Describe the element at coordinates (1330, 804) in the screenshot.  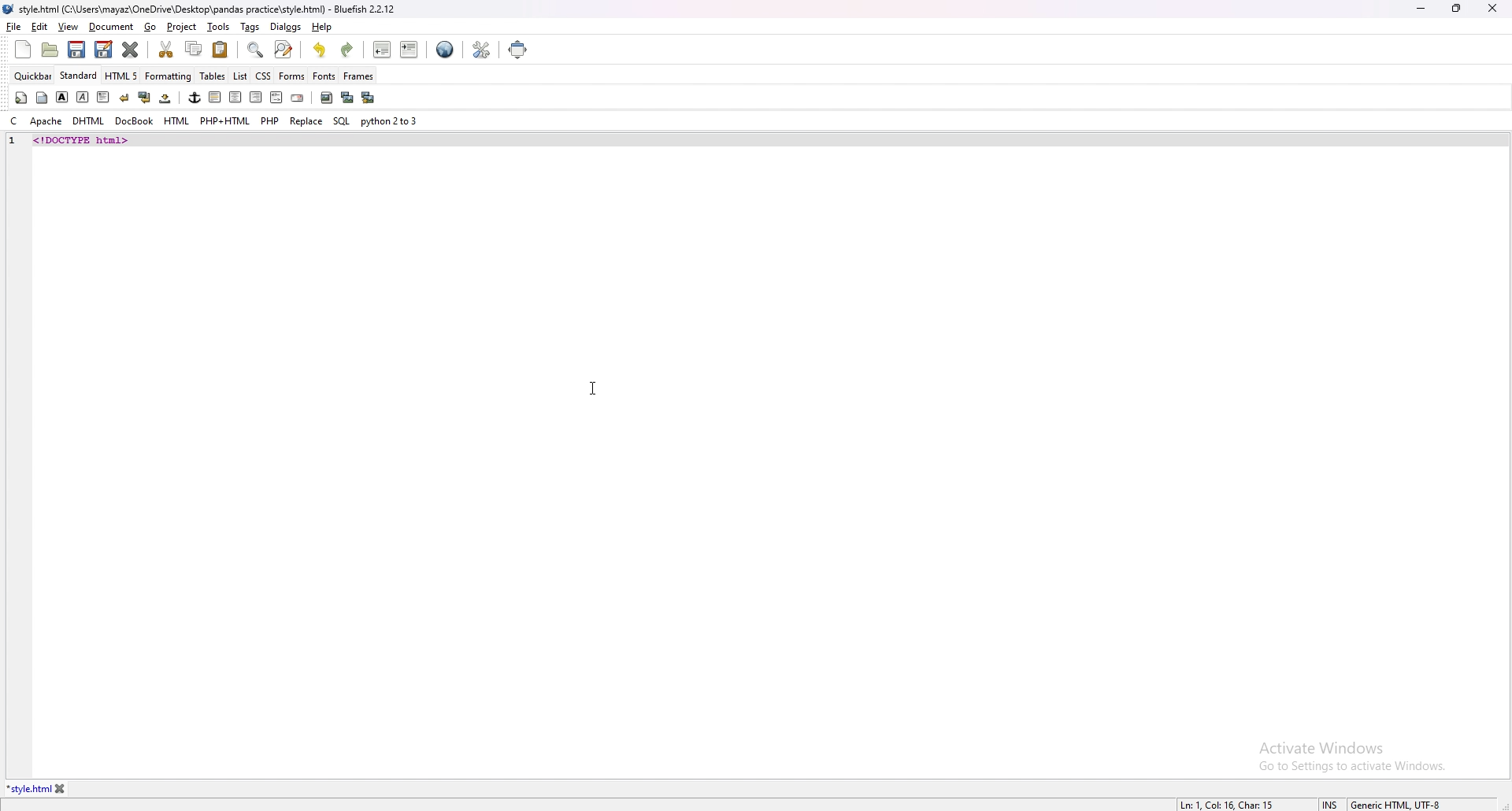
I see `cursor mode` at that location.